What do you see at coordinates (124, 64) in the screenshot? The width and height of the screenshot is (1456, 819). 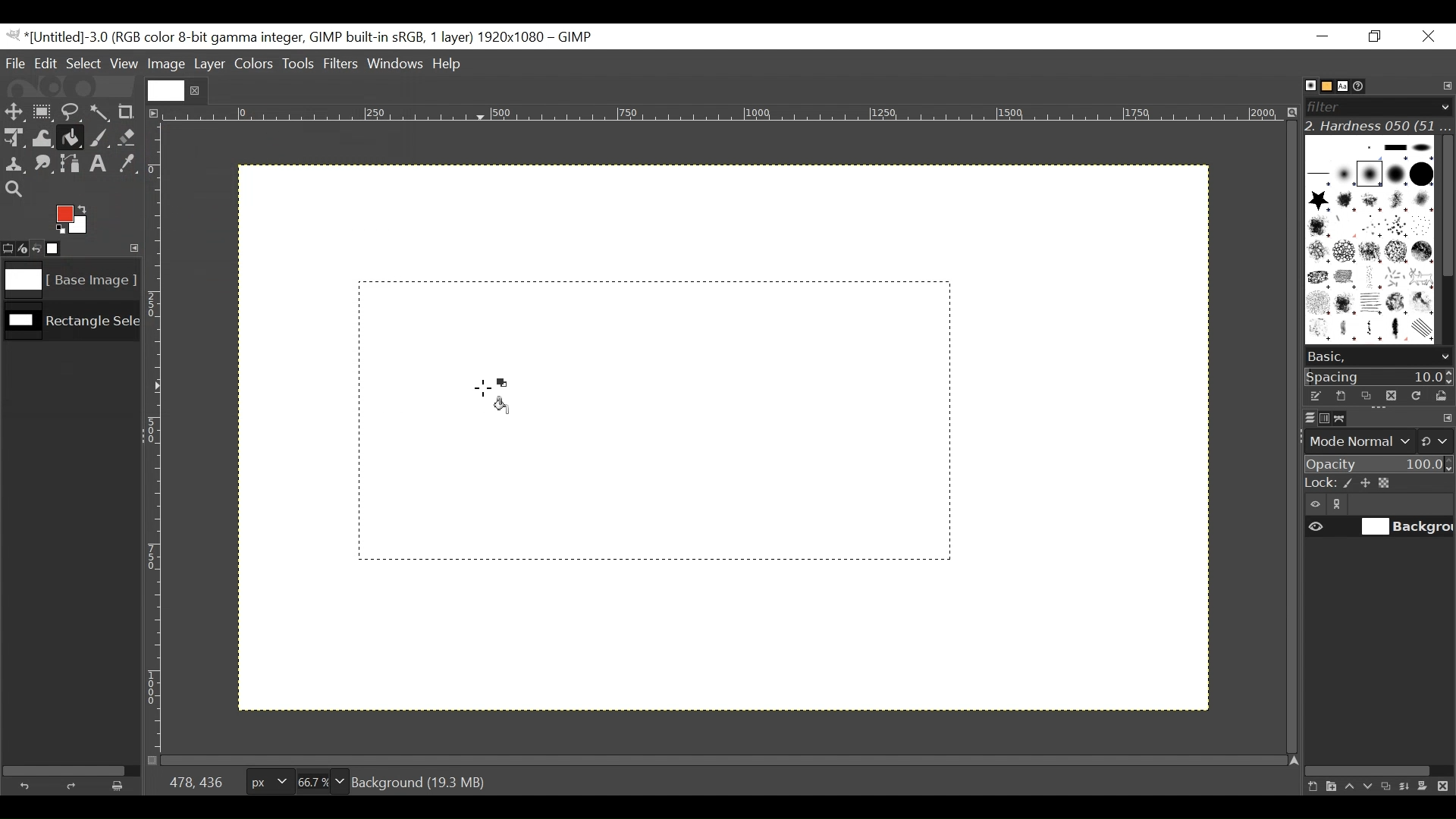 I see `View` at bounding box center [124, 64].